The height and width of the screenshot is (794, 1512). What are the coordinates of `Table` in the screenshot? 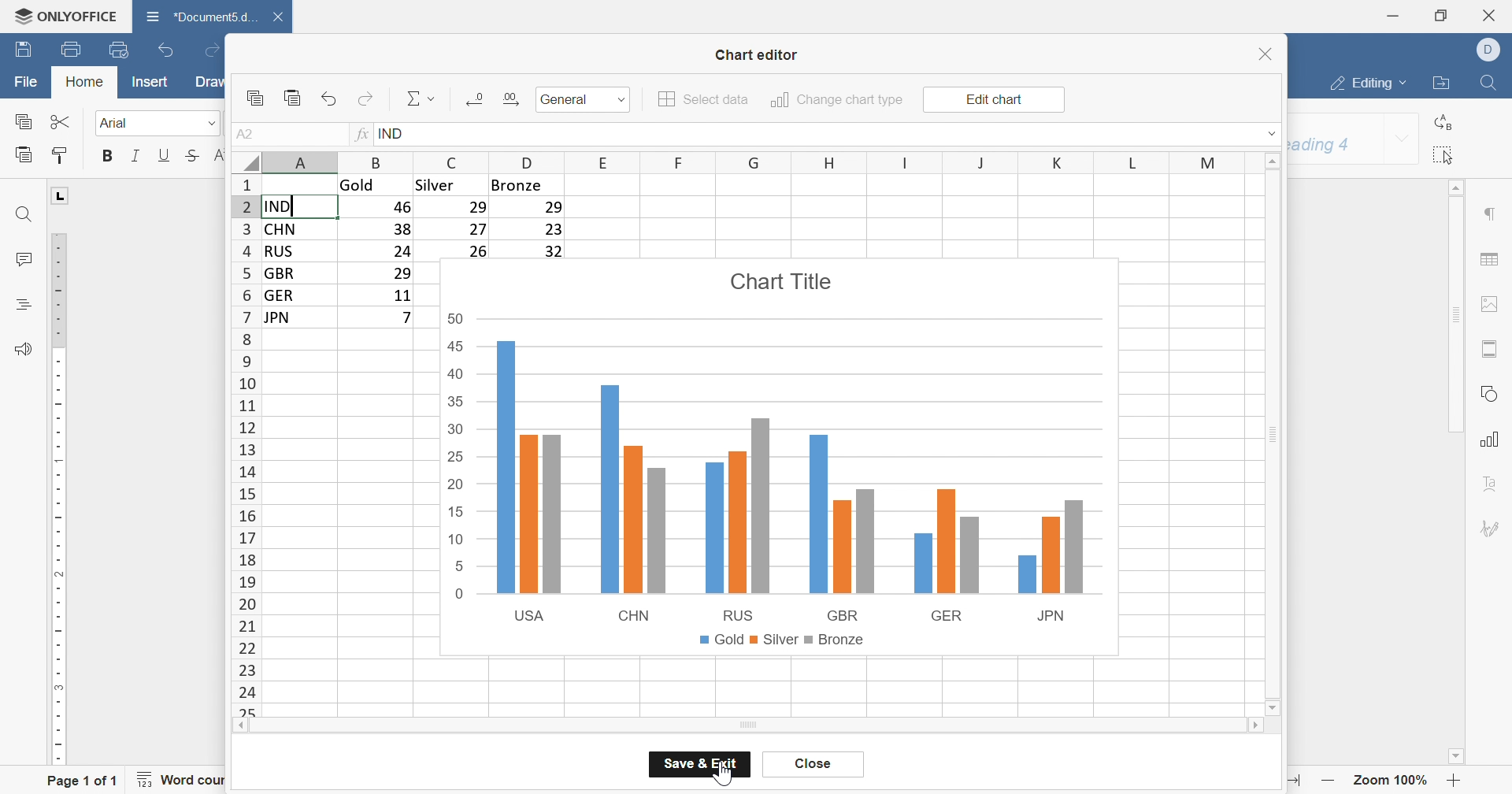 It's located at (348, 276).